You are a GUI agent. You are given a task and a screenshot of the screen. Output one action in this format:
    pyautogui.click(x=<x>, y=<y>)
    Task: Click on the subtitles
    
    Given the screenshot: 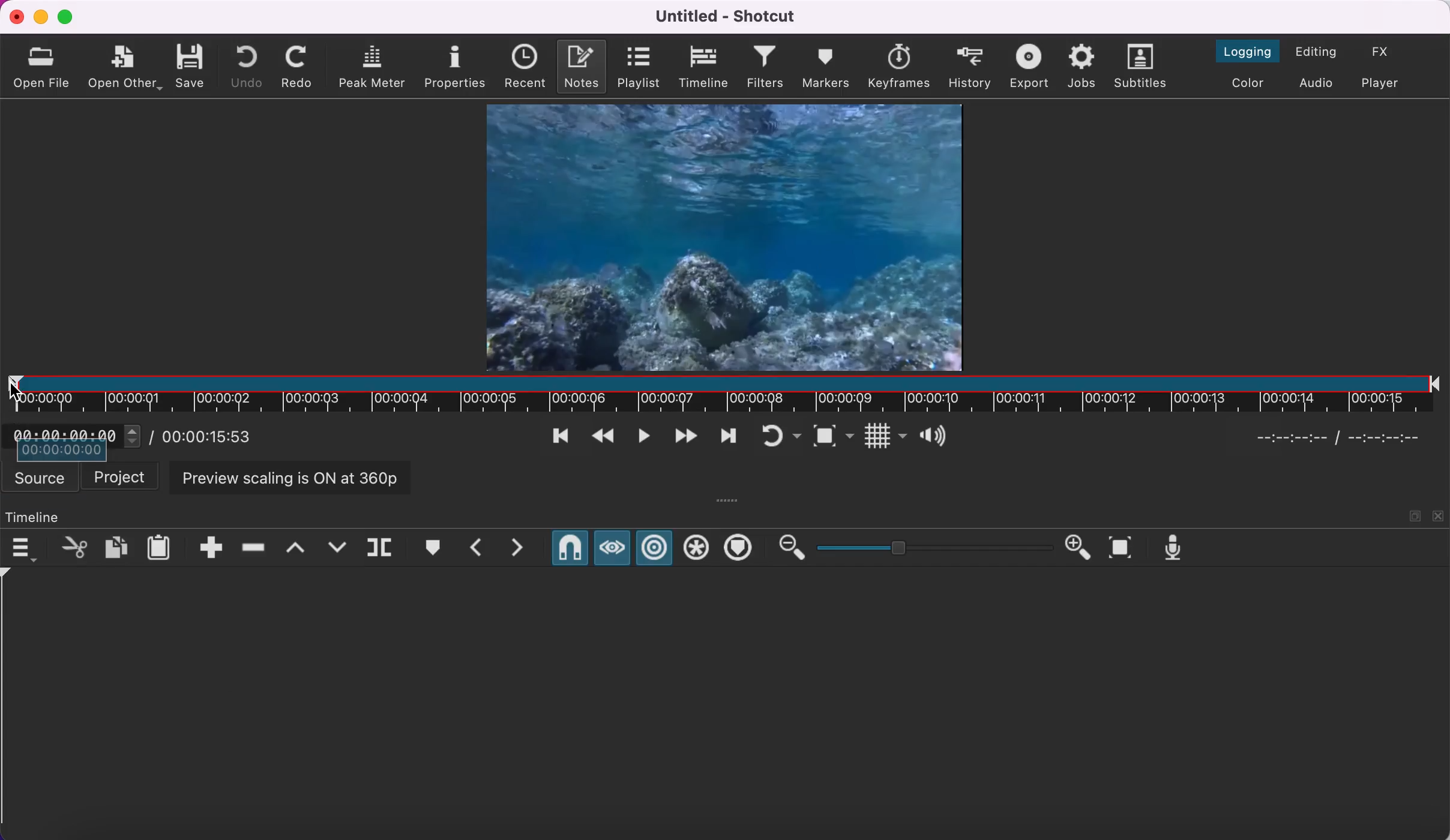 What is the action you would take?
    pyautogui.click(x=1145, y=67)
    